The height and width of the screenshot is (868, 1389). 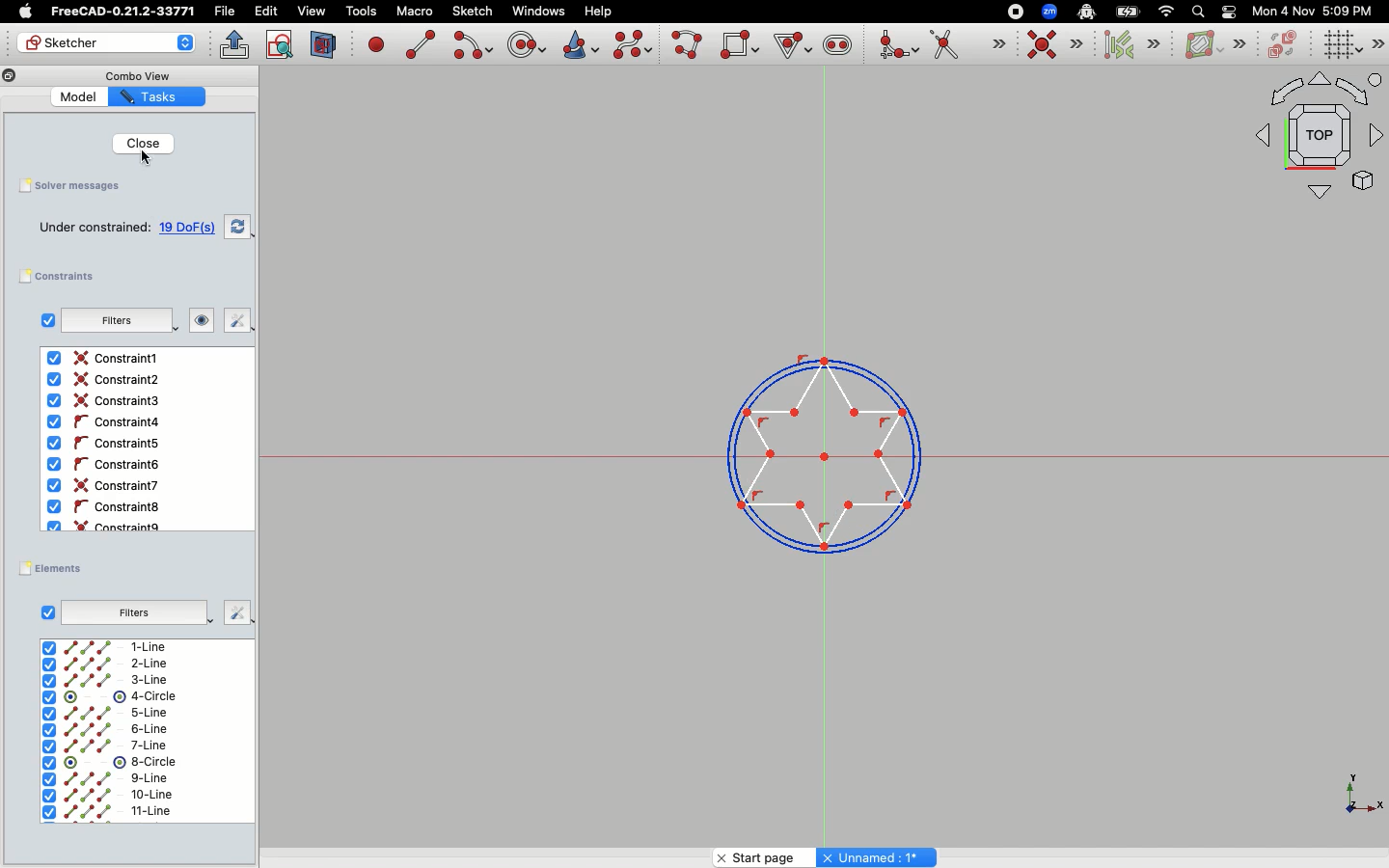 I want to click on Cursor, so click(x=143, y=159).